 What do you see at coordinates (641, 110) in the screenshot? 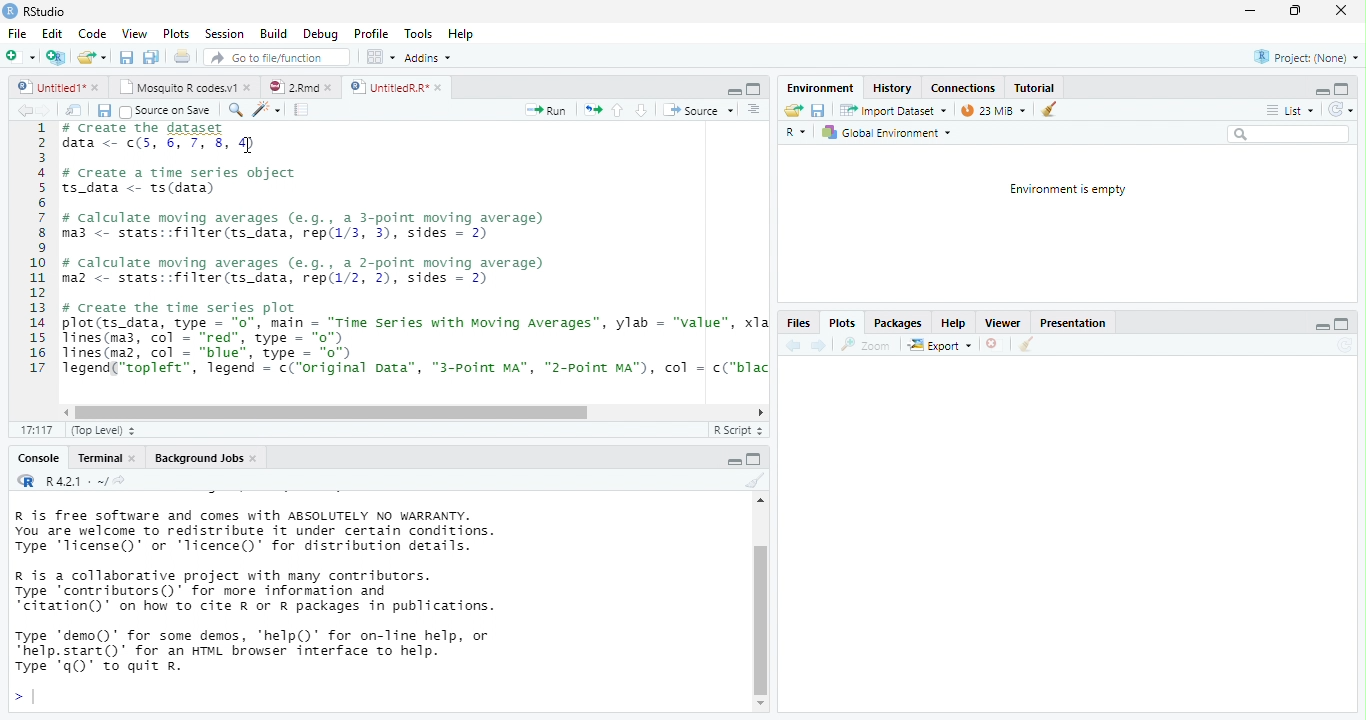
I see `down` at bounding box center [641, 110].